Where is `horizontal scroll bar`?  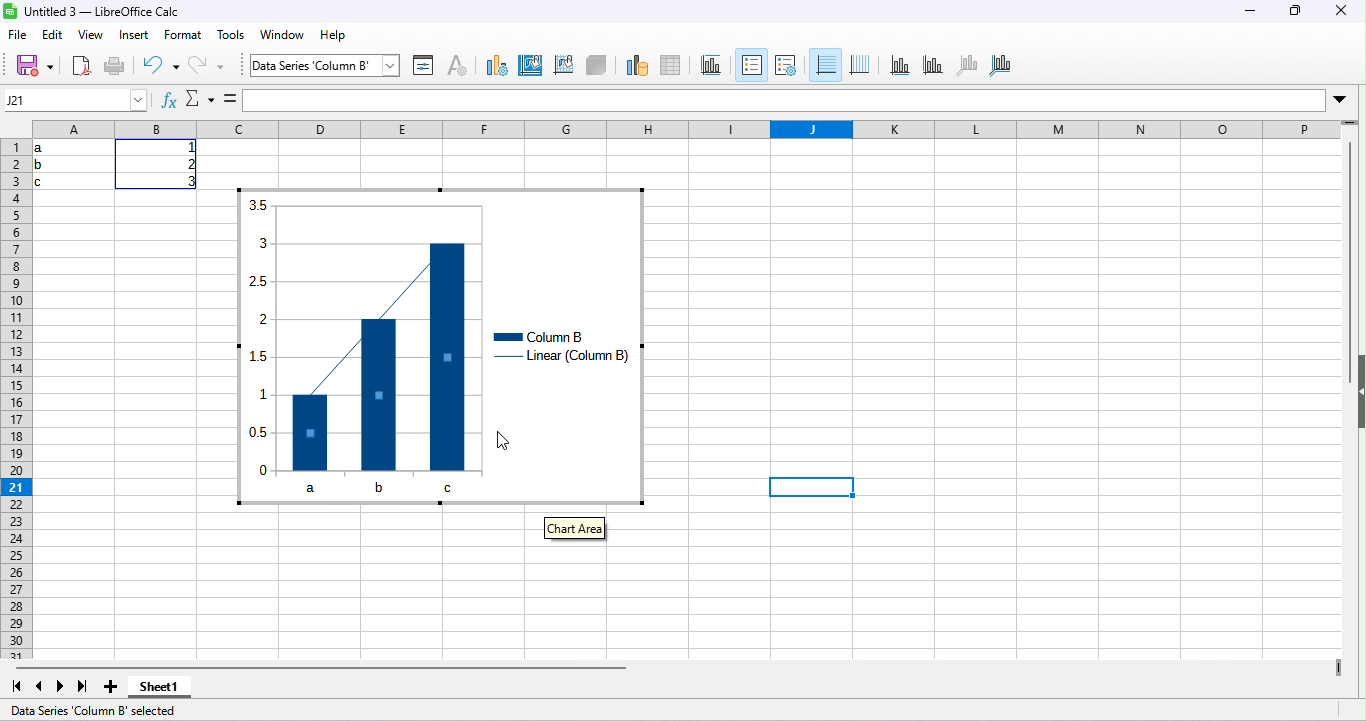
horizontal scroll bar is located at coordinates (329, 668).